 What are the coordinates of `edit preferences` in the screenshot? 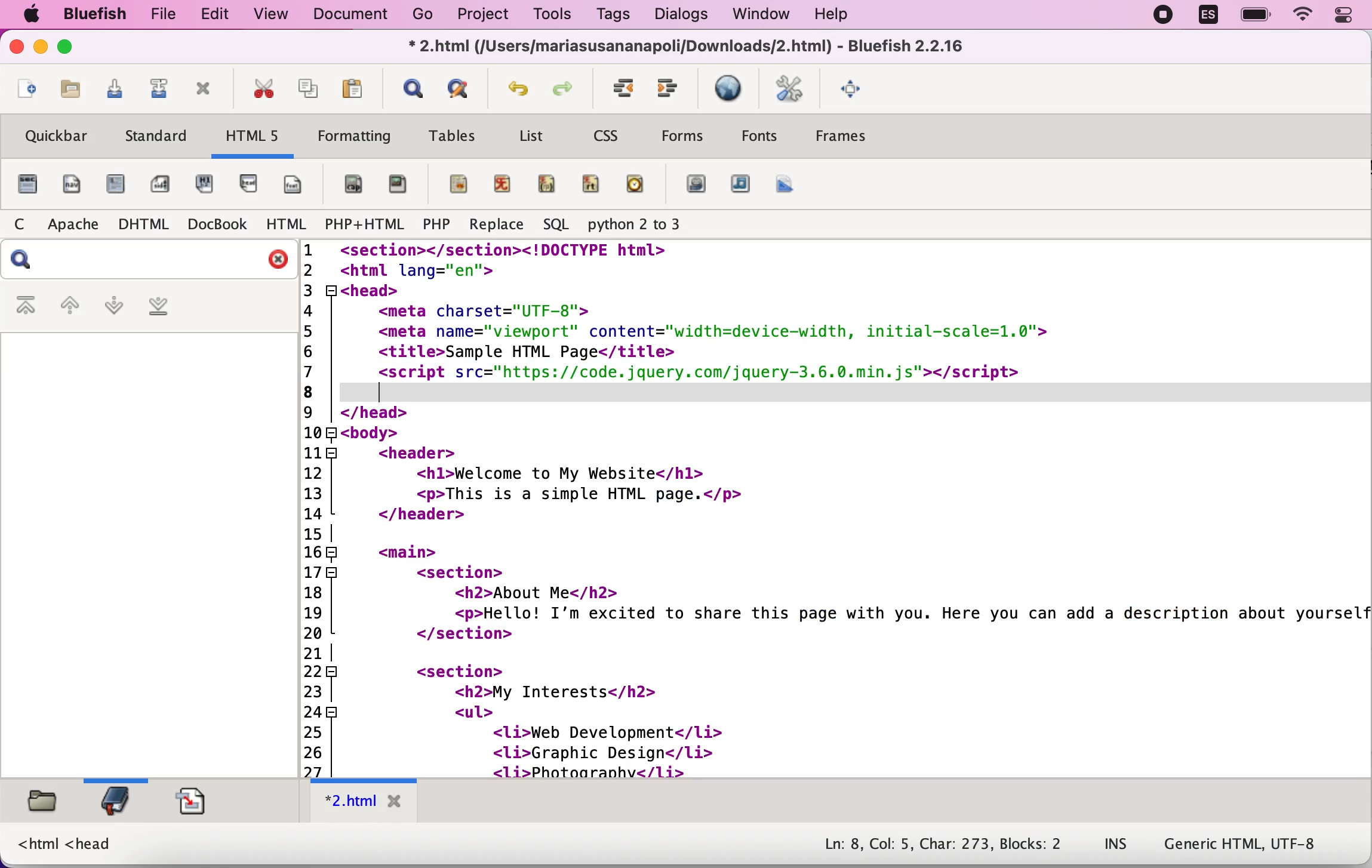 It's located at (790, 89).